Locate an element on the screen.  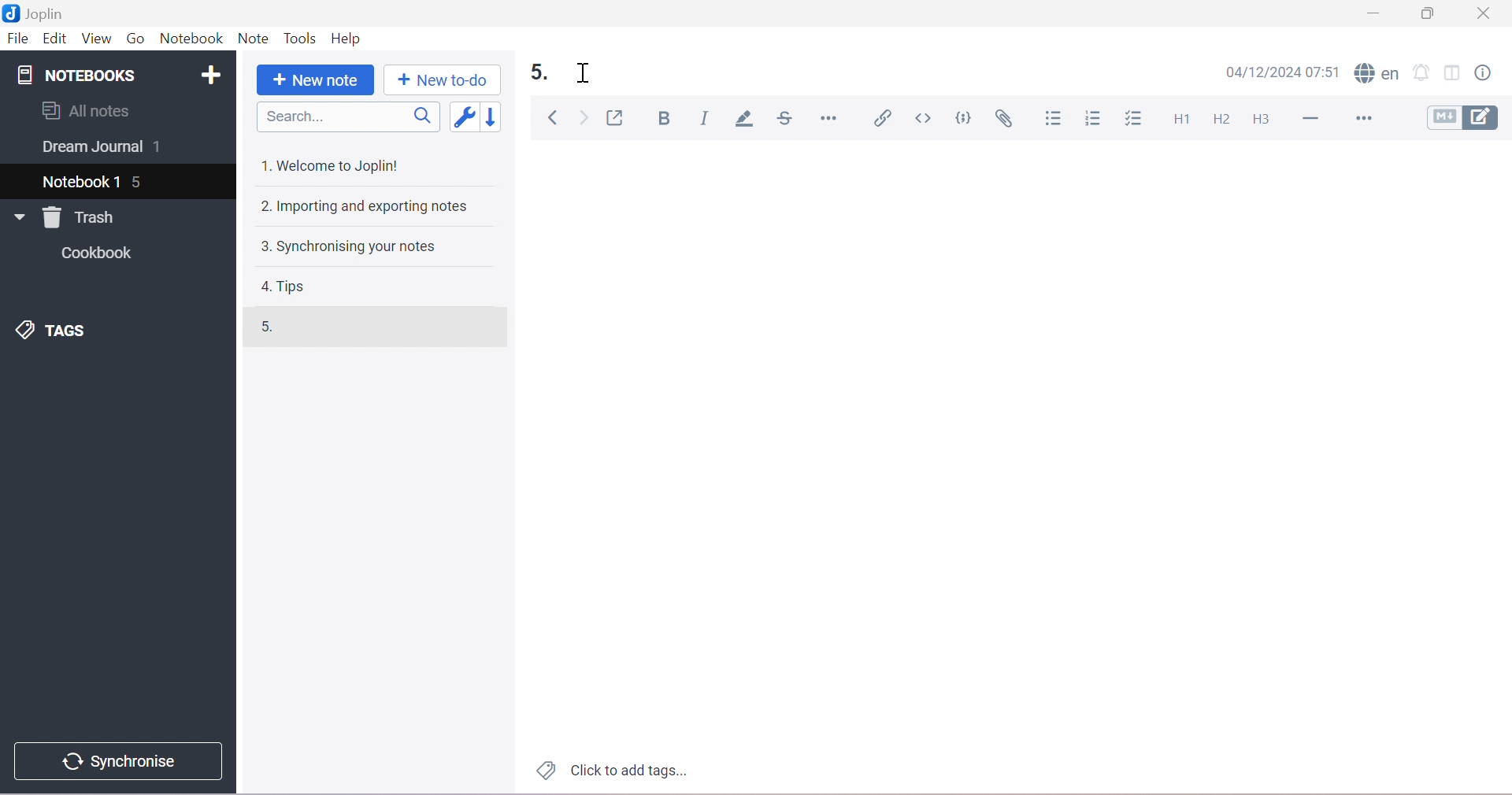
Attach file is located at coordinates (1007, 120).